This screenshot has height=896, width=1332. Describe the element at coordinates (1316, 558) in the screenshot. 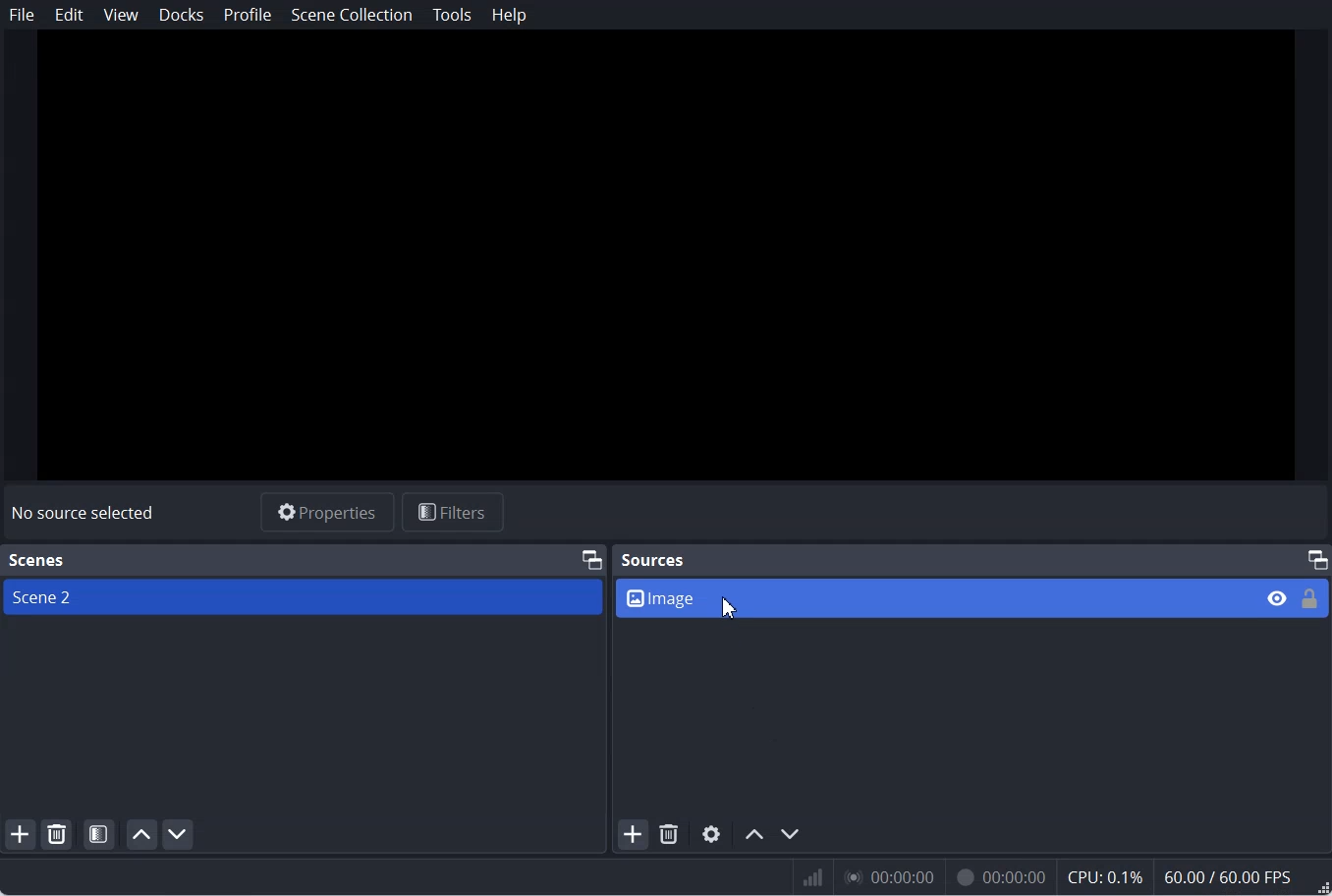

I see `Maximum` at that location.